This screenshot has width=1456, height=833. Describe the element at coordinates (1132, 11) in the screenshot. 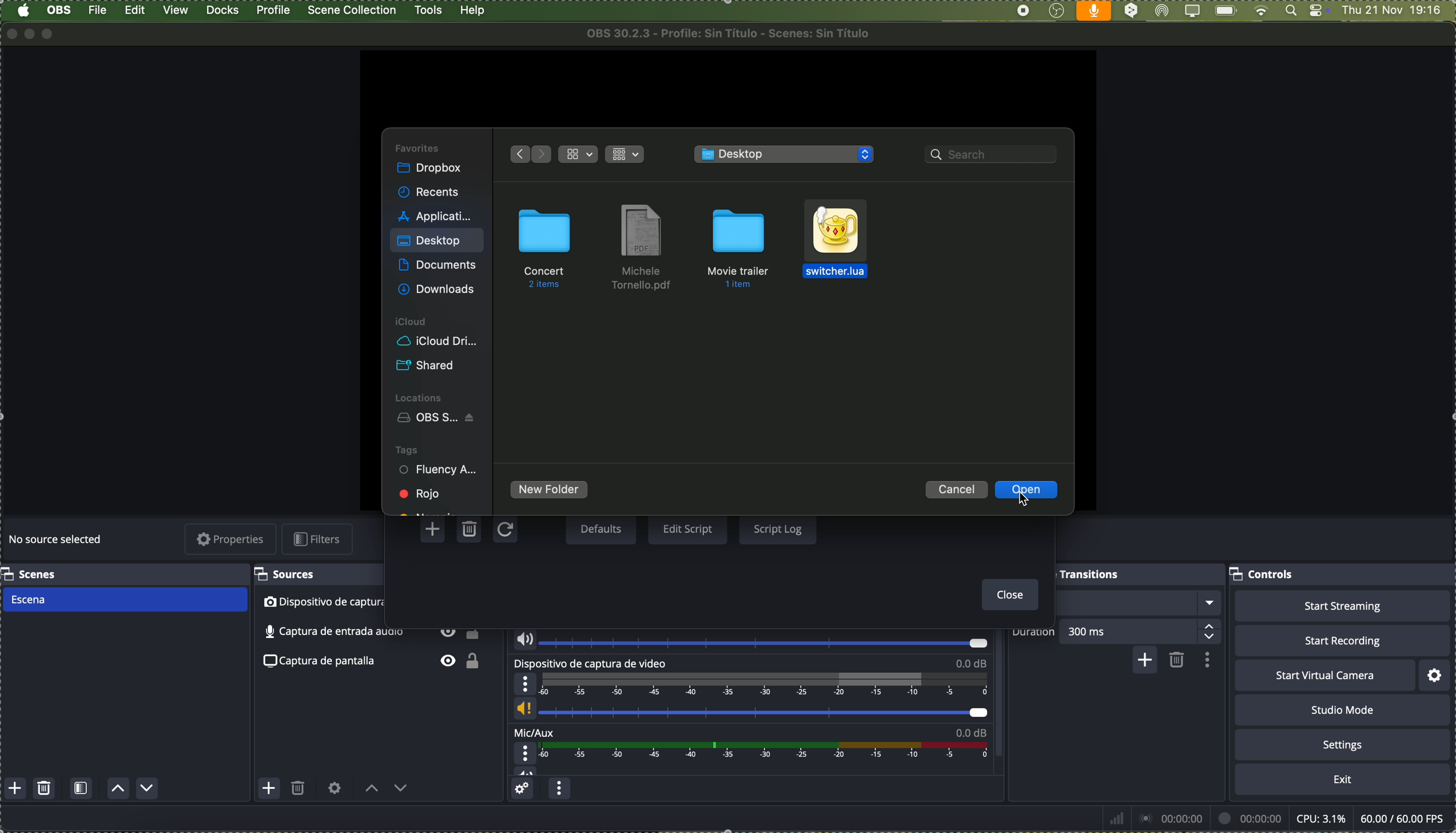

I see `DeepL` at that location.